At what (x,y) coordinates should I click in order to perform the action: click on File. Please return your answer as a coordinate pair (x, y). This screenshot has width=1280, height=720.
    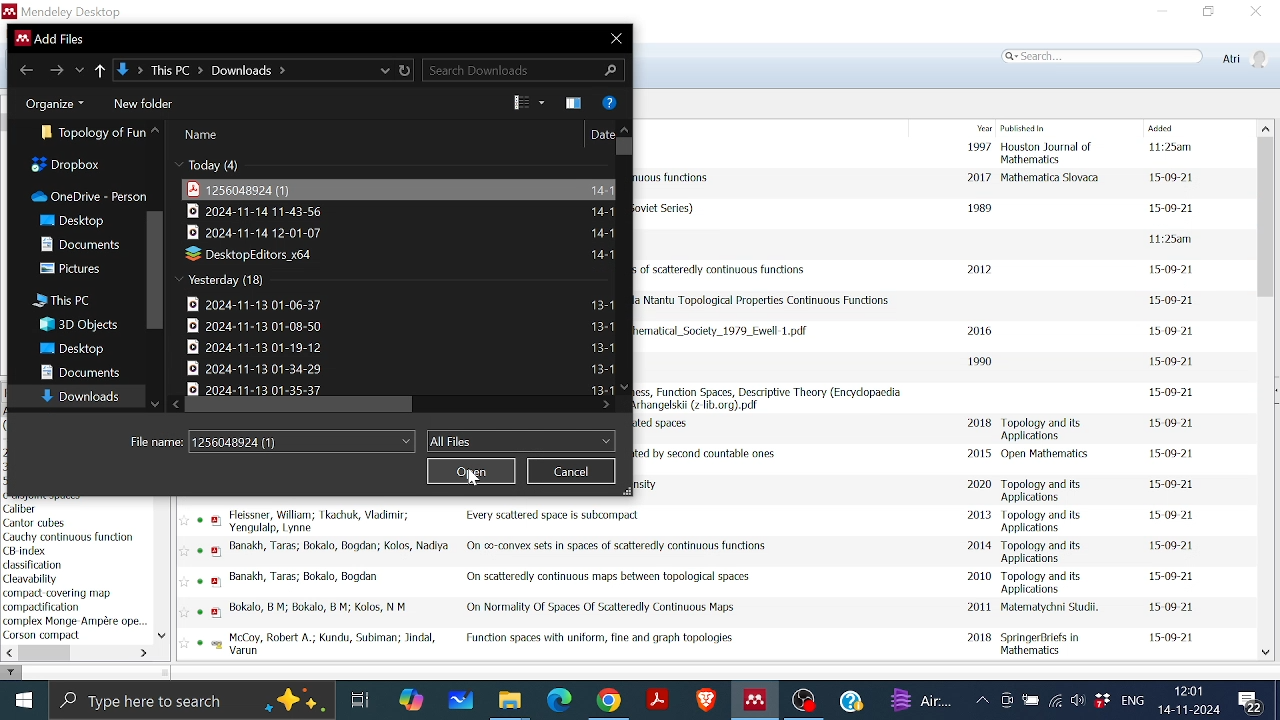
    Looking at the image, I should click on (253, 213).